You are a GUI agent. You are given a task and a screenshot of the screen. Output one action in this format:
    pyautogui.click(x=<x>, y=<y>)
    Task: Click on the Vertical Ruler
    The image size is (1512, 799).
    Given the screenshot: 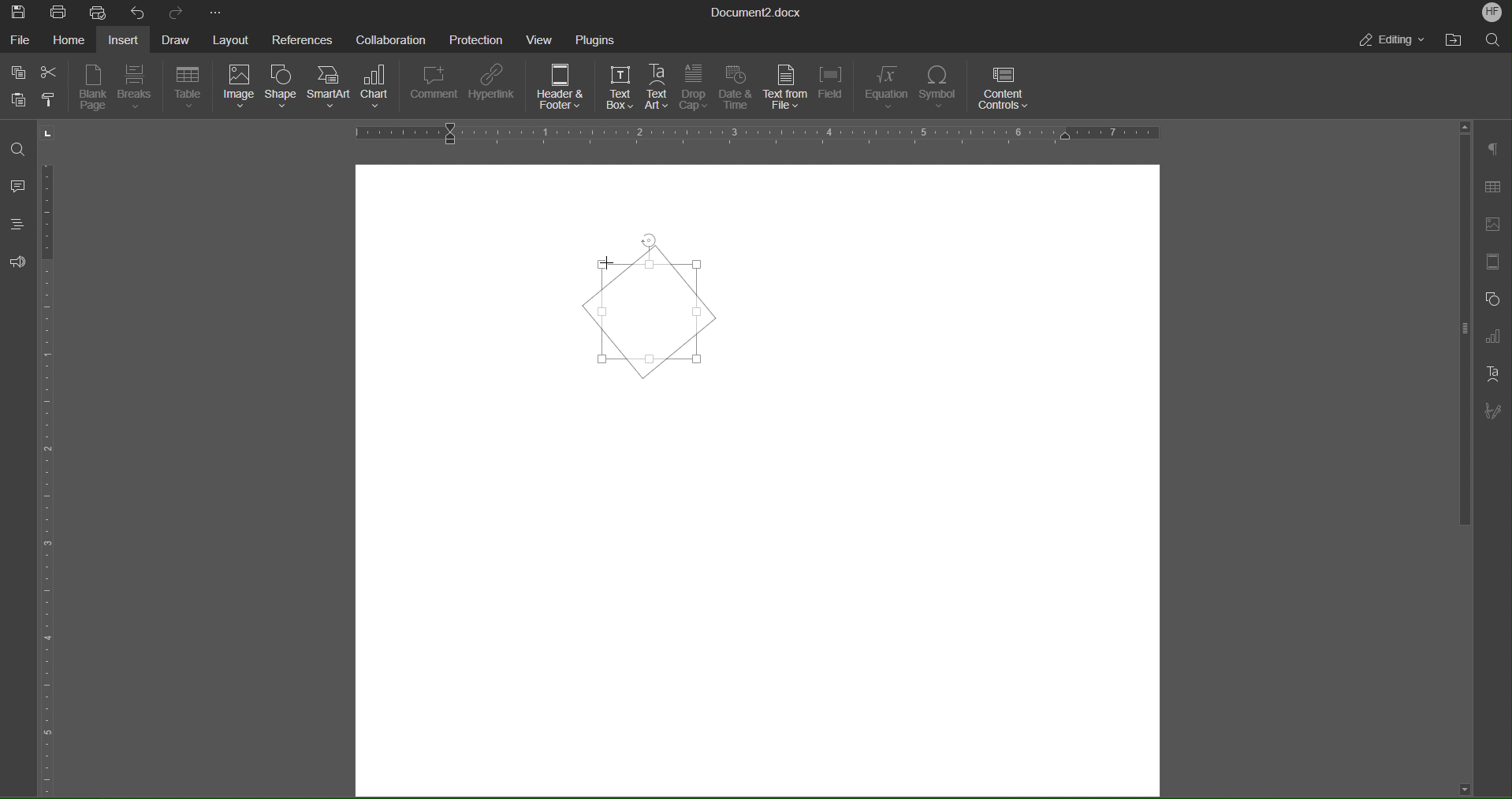 What is the action you would take?
    pyautogui.click(x=50, y=474)
    